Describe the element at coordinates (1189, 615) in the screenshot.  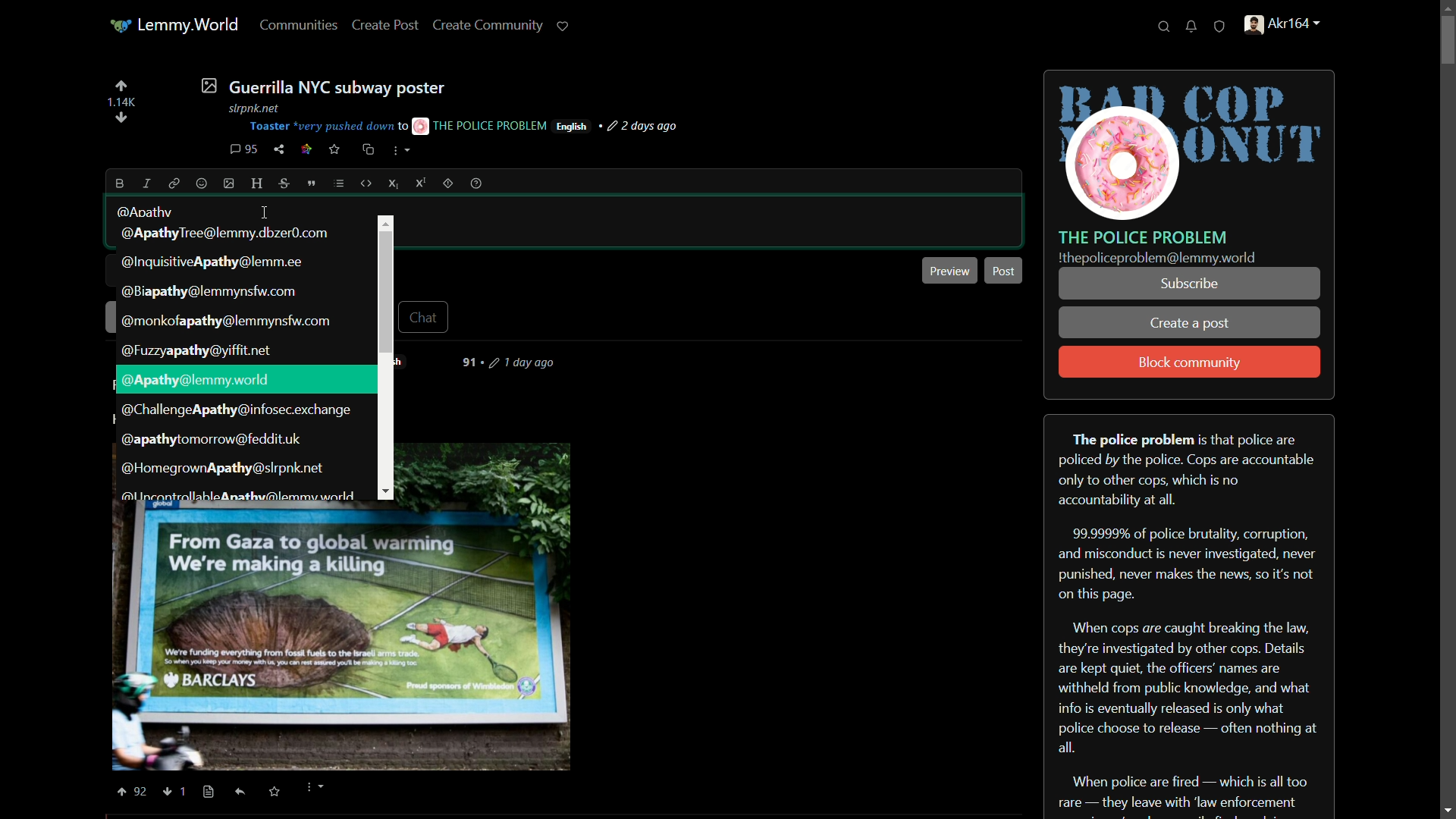
I see `about server` at that location.